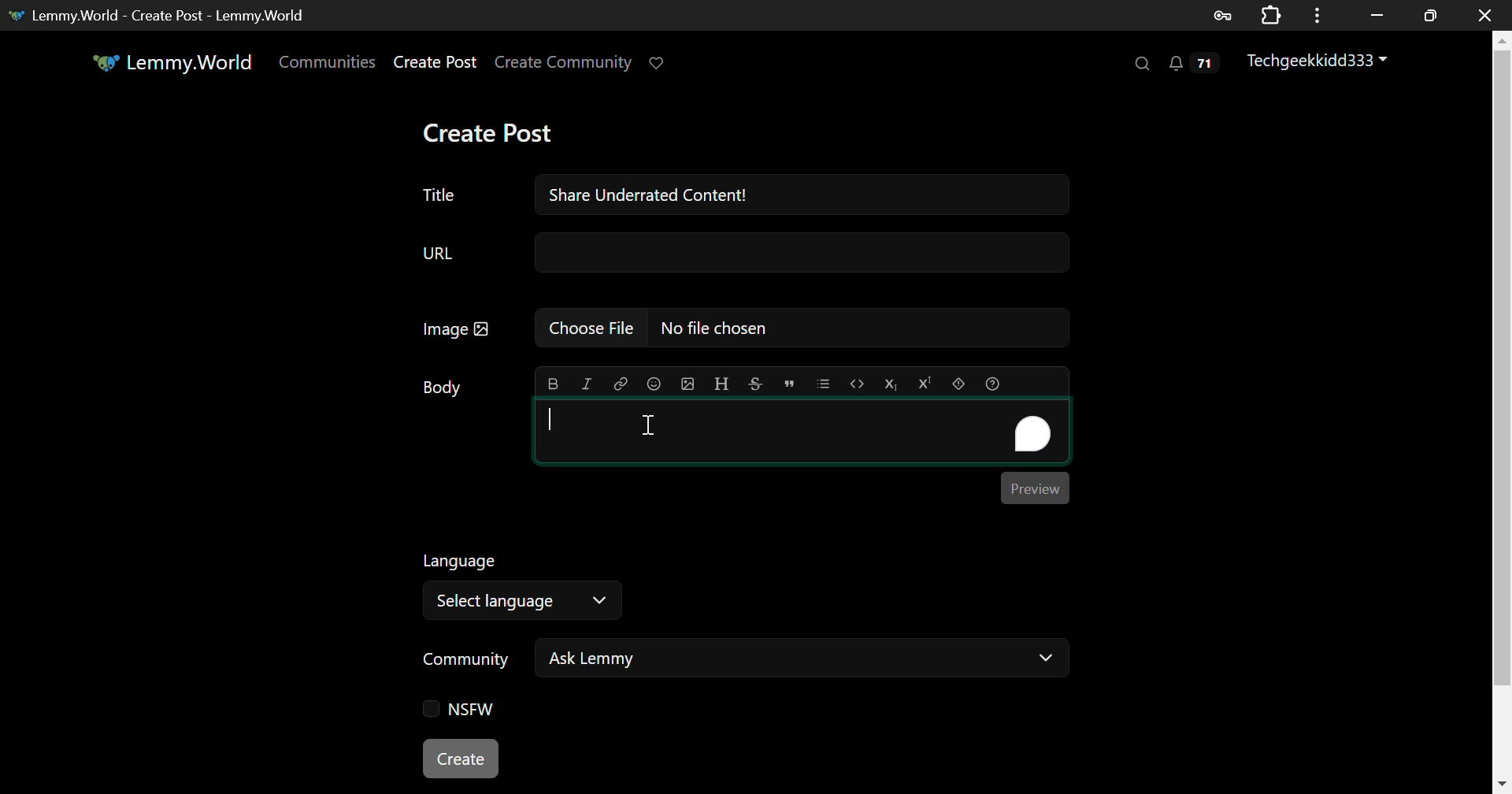 The width and height of the screenshot is (1512, 794). What do you see at coordinates (1431, 16) in the screenshot?
I see `Minimize` at bounding box center [1431, 16].